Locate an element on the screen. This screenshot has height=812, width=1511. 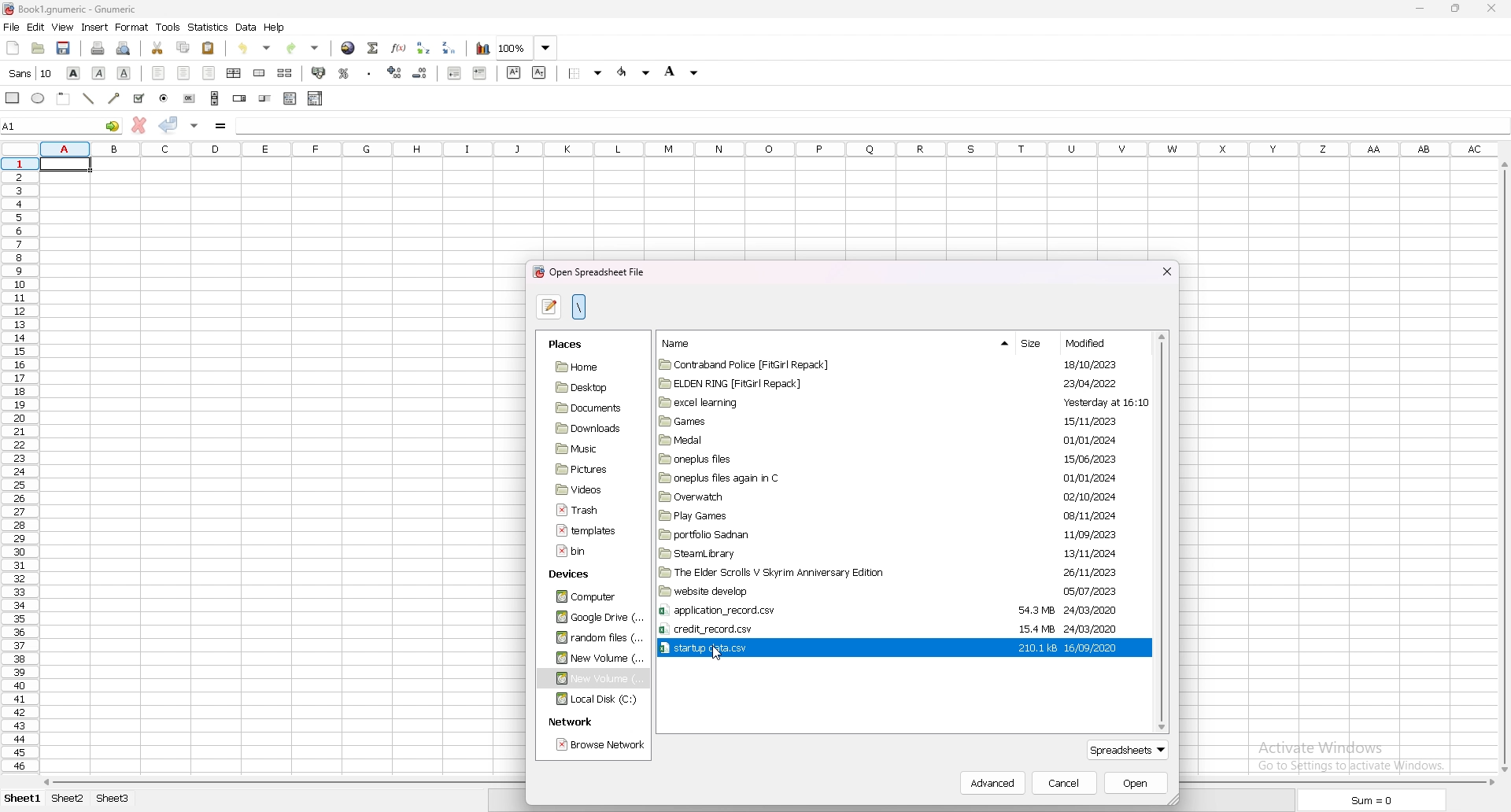
type file name is located at coordinates (550, 307).